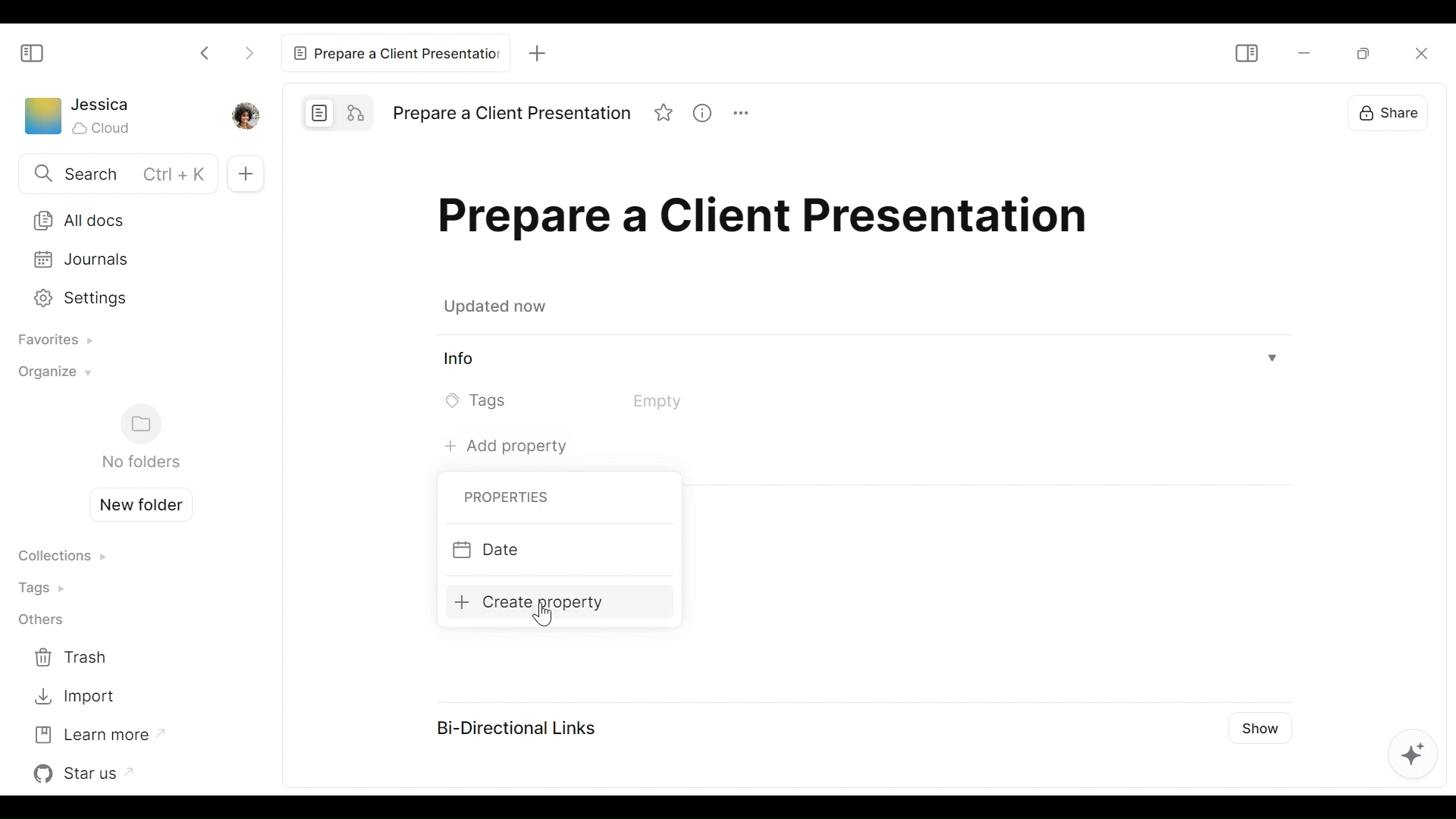 The image size is (1456, 819). What do you see at coordinates (770, 221) in the screenshot?
I see `Title` at bounding box center [770, 221].